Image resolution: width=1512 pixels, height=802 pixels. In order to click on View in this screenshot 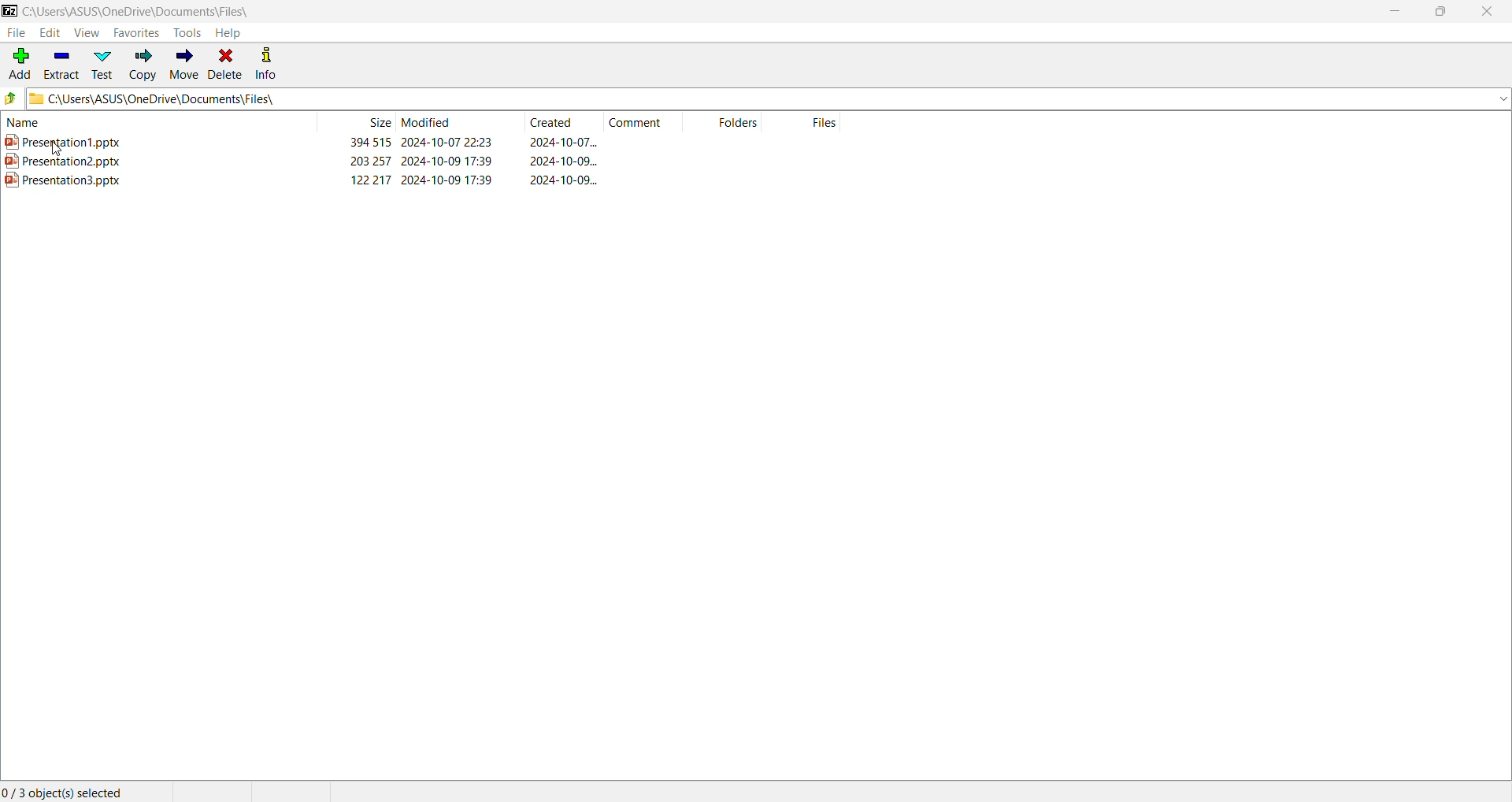, I will do `click(86, 33)`.